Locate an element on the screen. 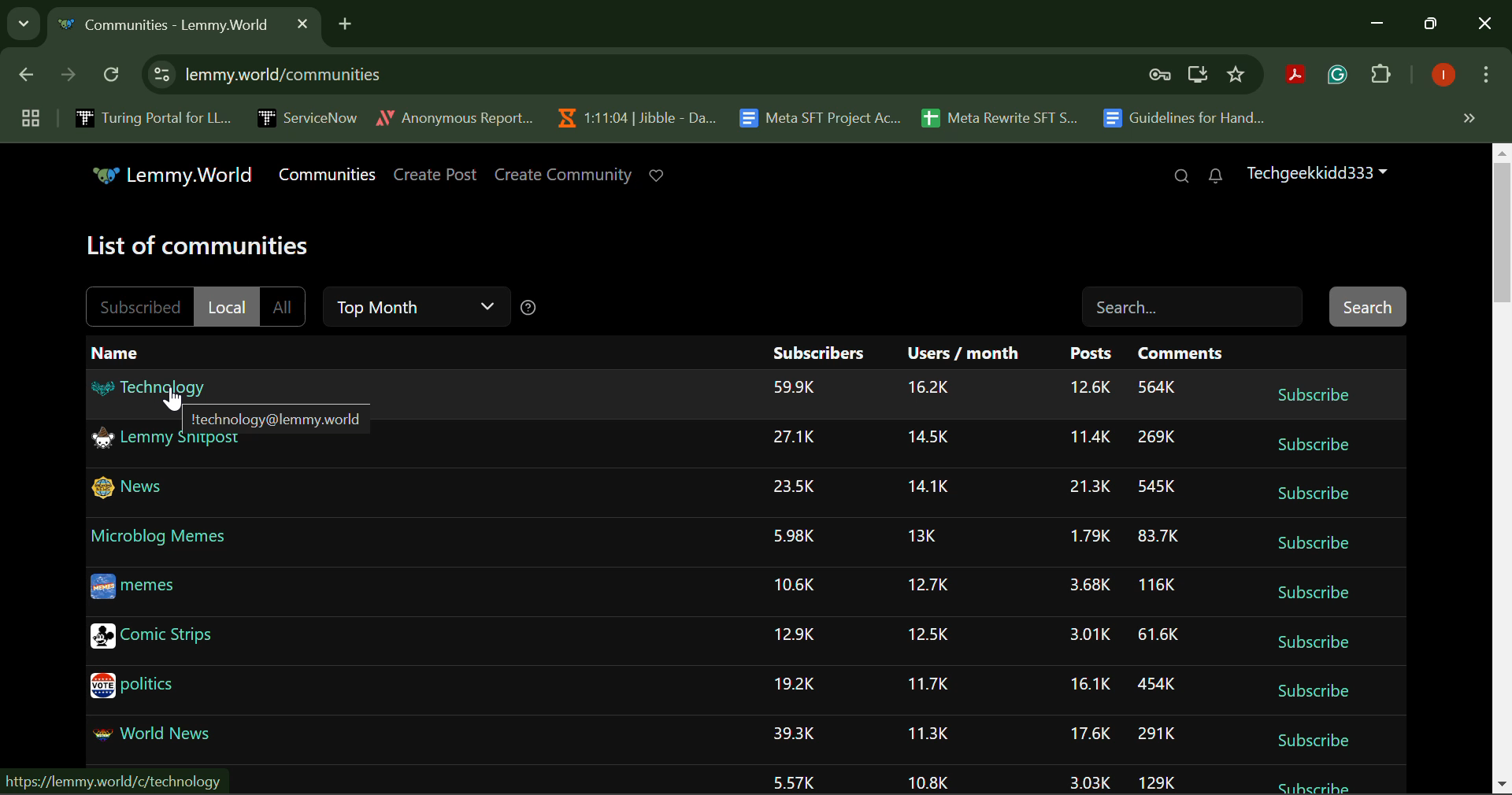 The height and width of the screenshot is (795, 1512). Search is located at coordinates (1181, 177).